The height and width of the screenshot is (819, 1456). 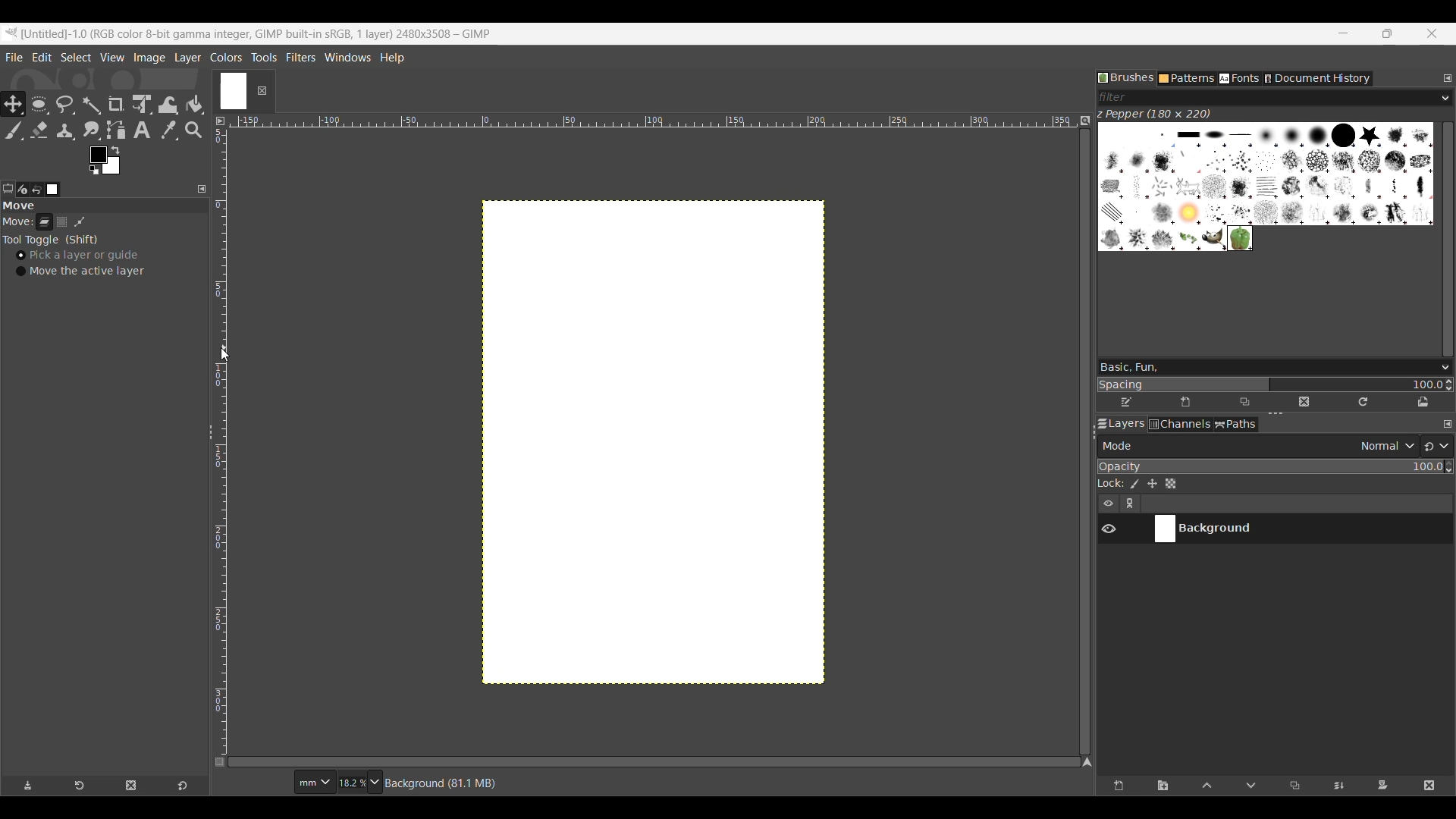 What do you see at coordinates (1382, 786) in the screenshot?
I see `Add mask that allows non-destructive editing of transparency` at bounding box center [1382, 786].